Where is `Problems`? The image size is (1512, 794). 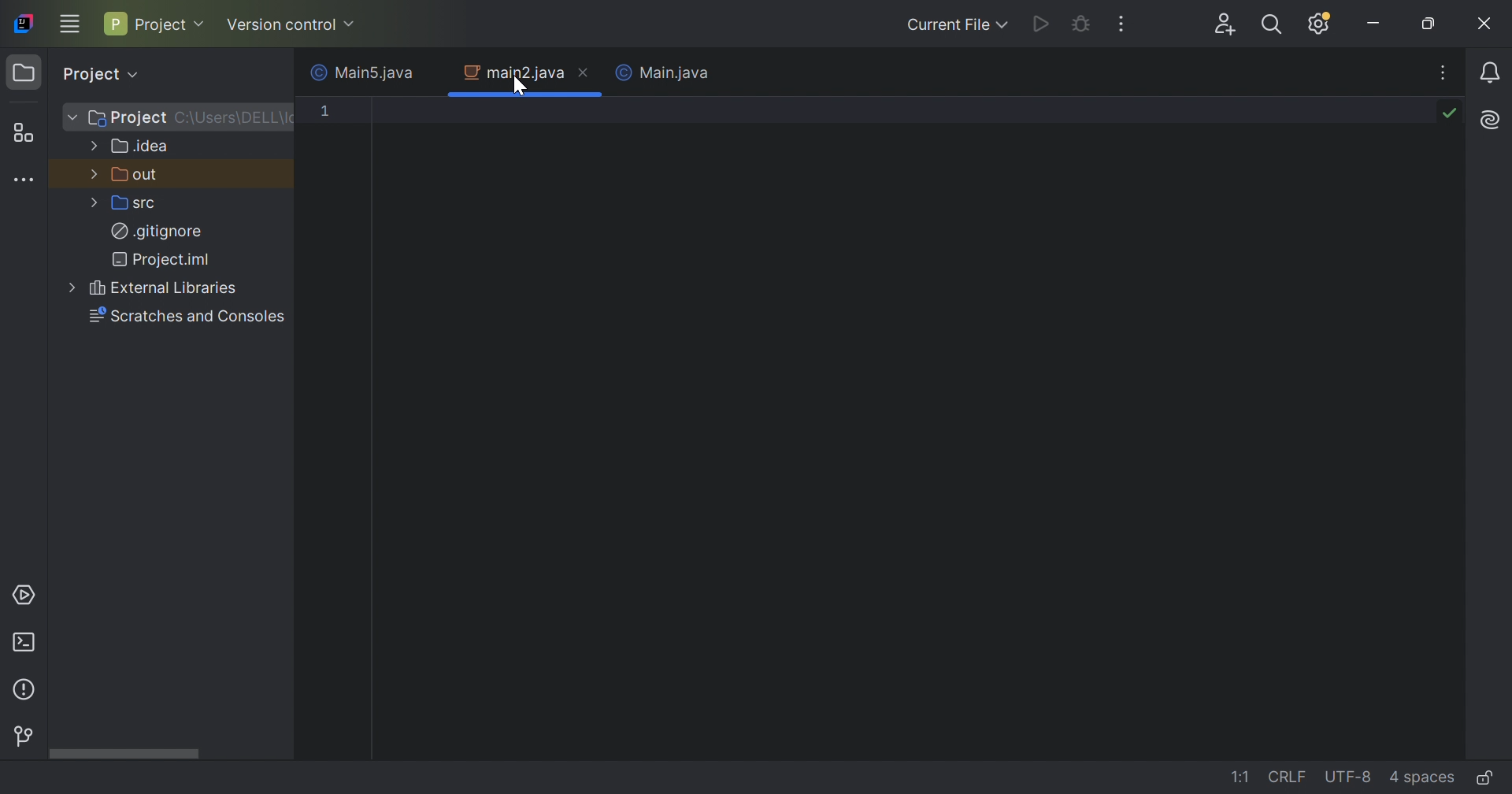 Problems is located at coordinates (24, 691).